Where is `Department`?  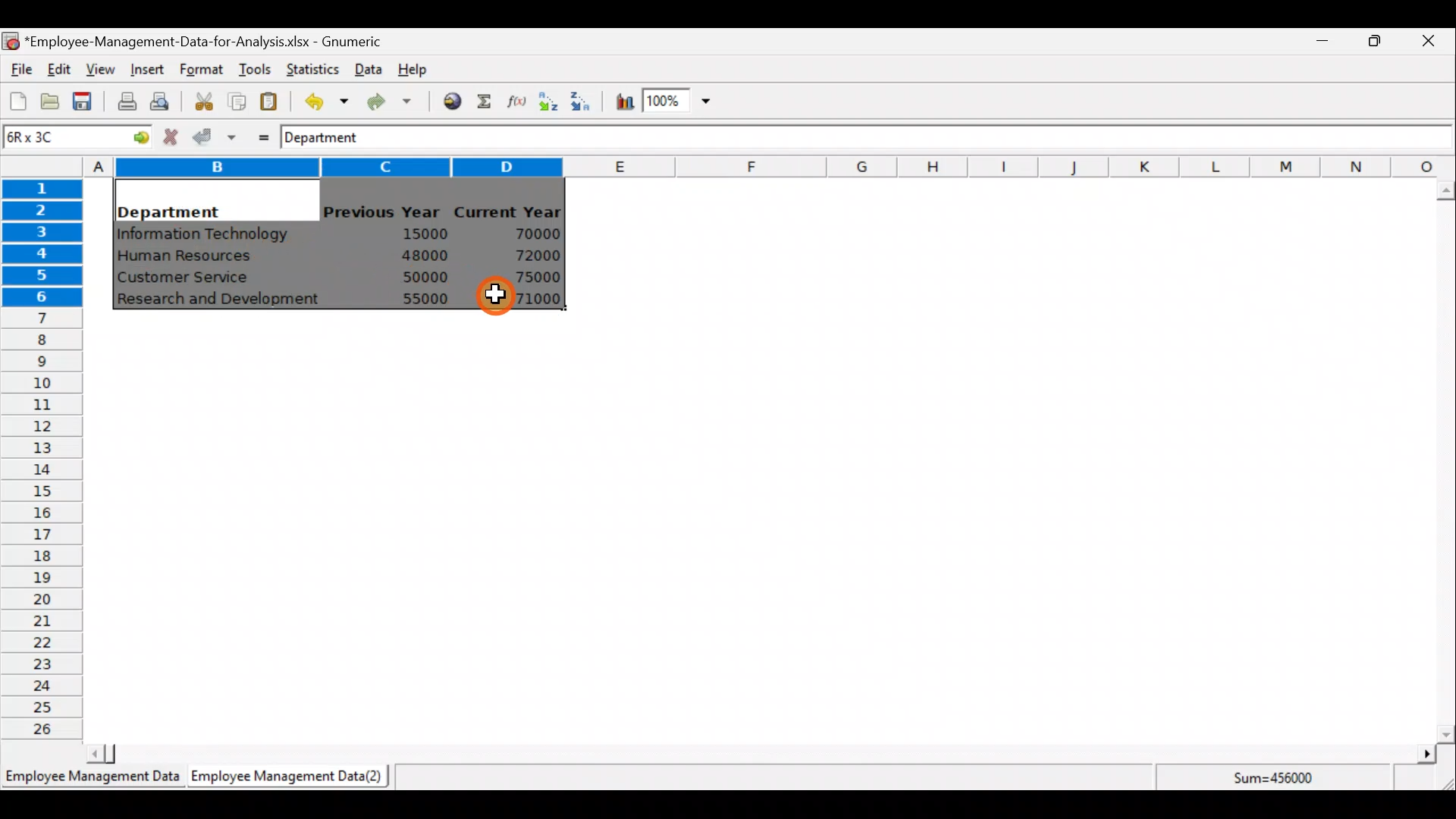
Department is located at coordinates (168, 208).